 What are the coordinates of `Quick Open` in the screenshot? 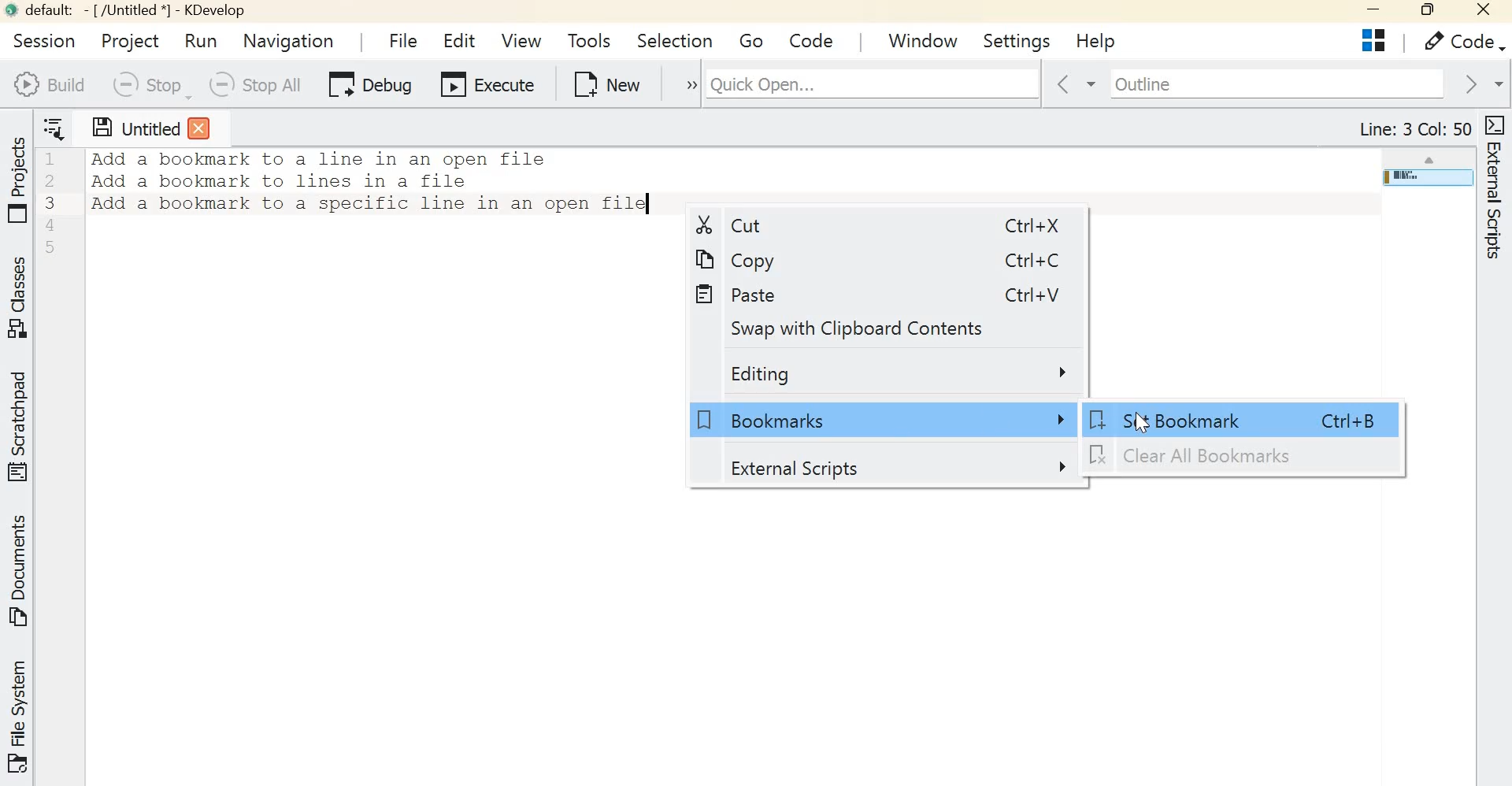 It's located at (872, 81).